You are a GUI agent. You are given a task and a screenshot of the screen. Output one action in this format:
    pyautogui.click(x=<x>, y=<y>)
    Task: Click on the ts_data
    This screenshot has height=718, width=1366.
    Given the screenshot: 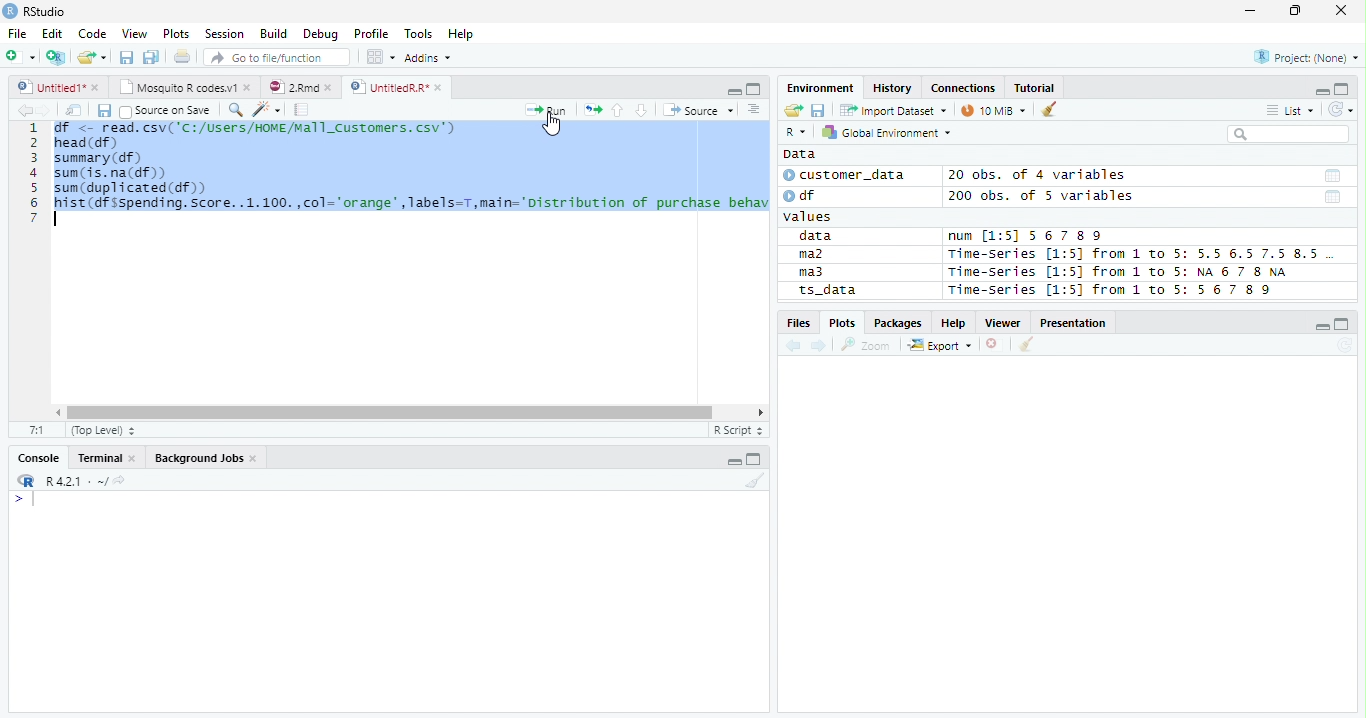 What is the action you would take?
    pyautogui.click(x=855, y=293)
    